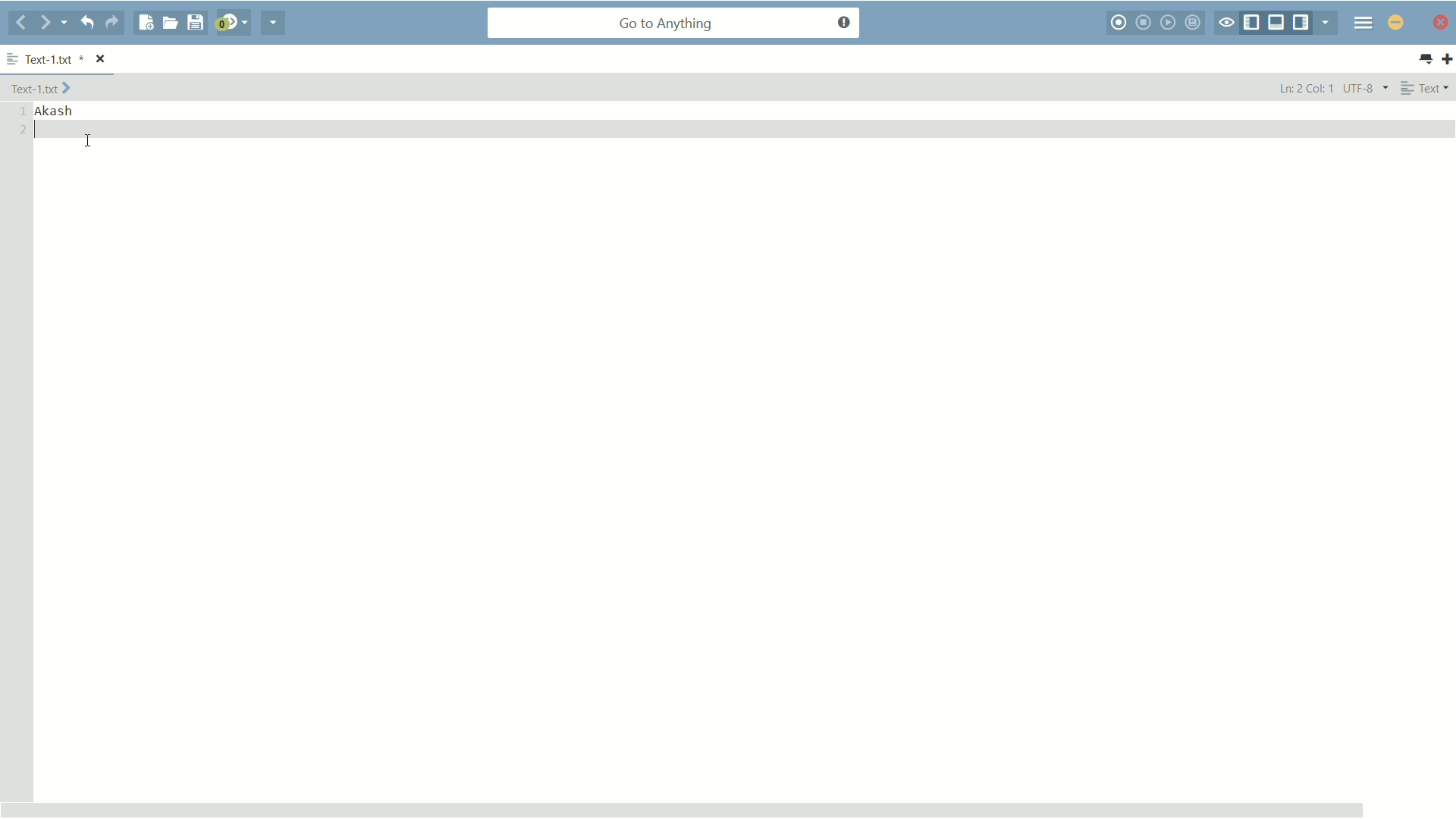 The height and width of the screenshot is (819, 1456). Describe the element at coordinates (20, 24) in the screenshot. I see `back` at that location.